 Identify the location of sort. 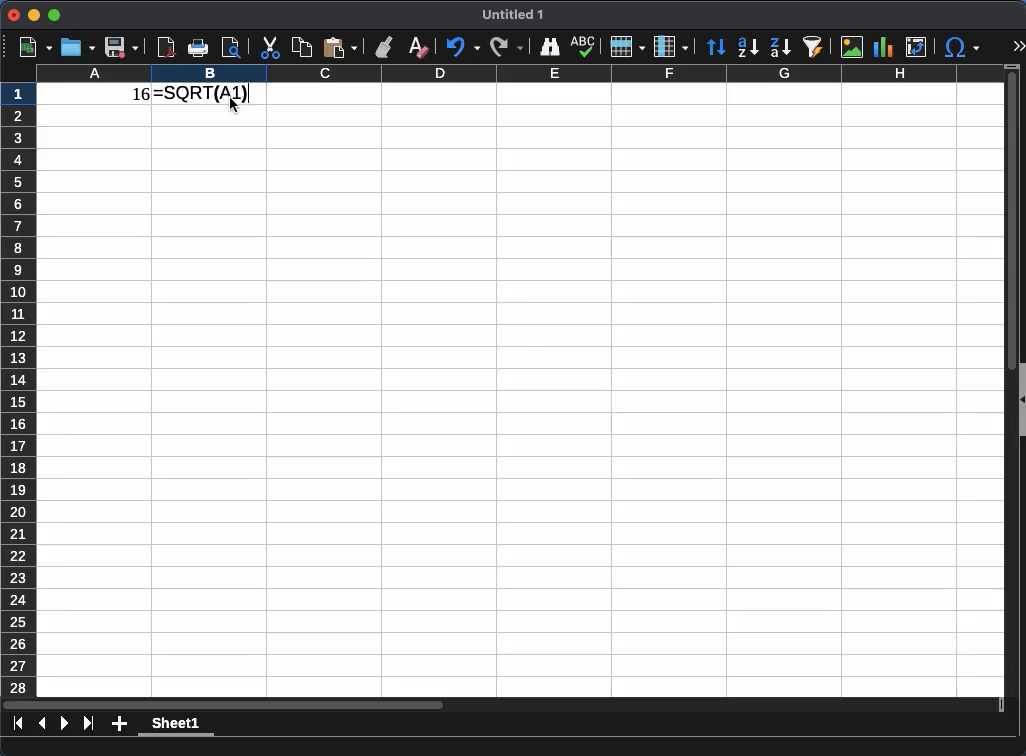
(716, 47).